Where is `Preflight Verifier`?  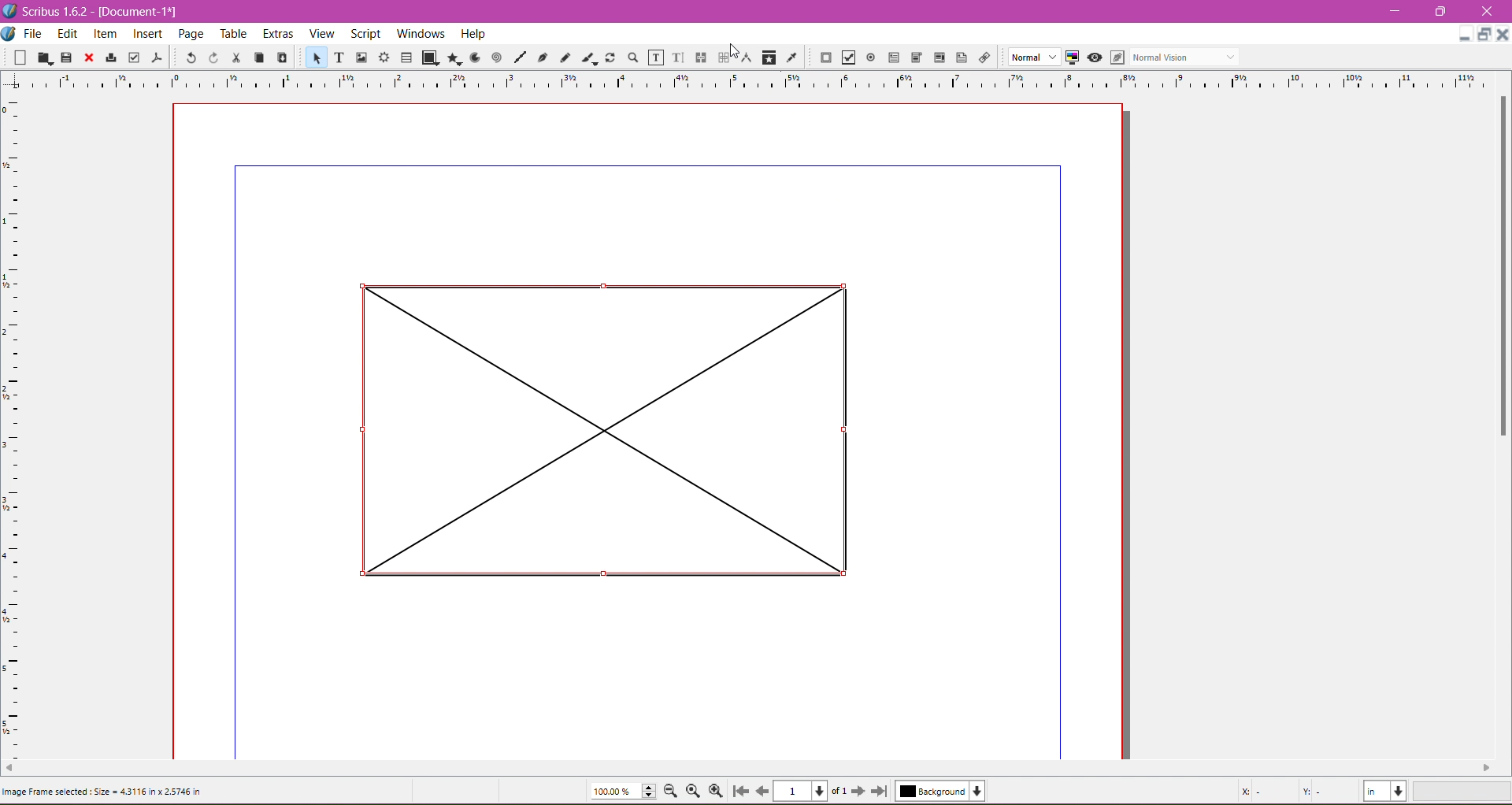
Preflight Verifier is located at coordinates (133, 58).